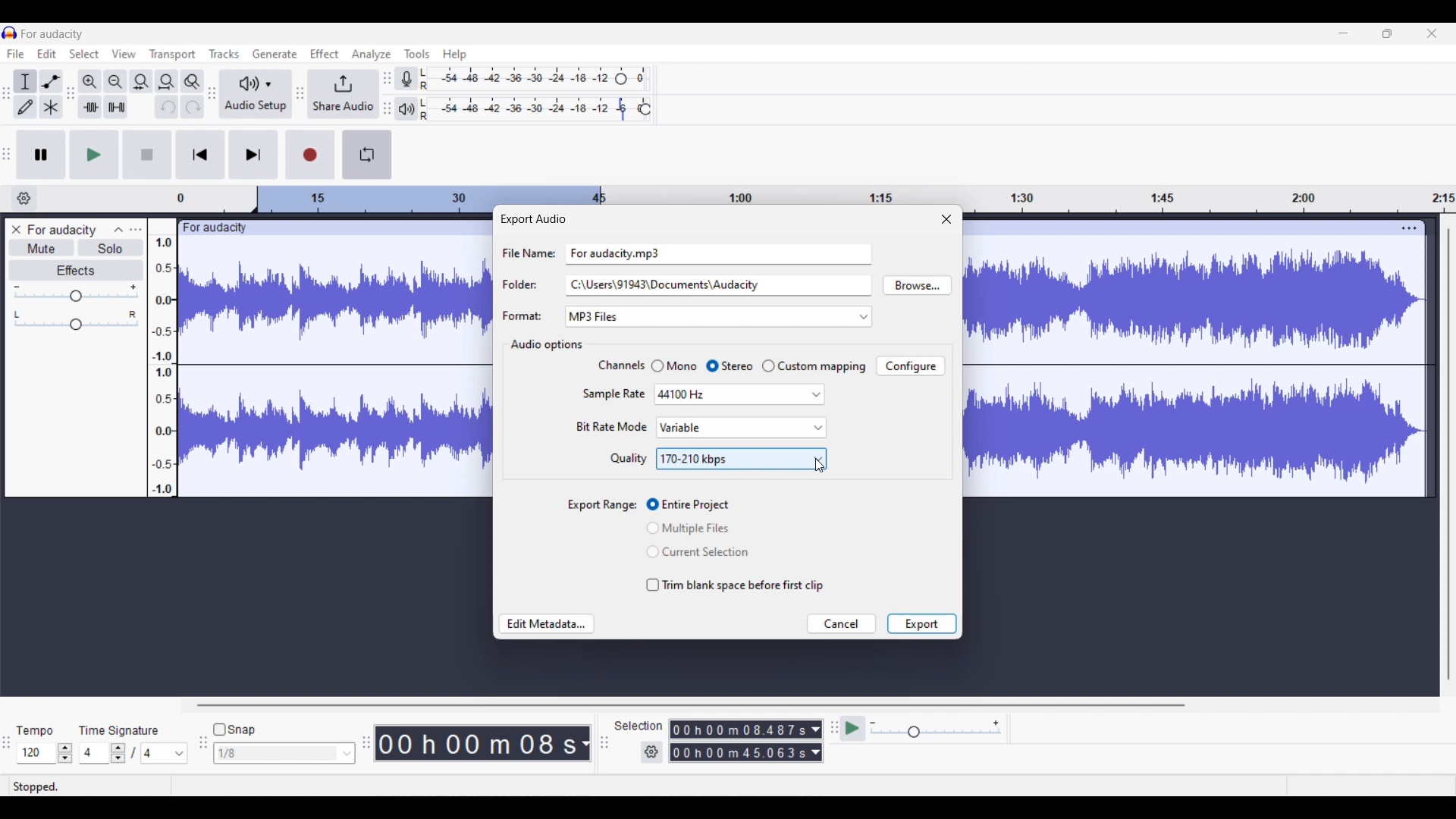  Describe the element at coordinates (527, 284) in the screenshot. I see `Indicates text box for respective setting options` at that location.